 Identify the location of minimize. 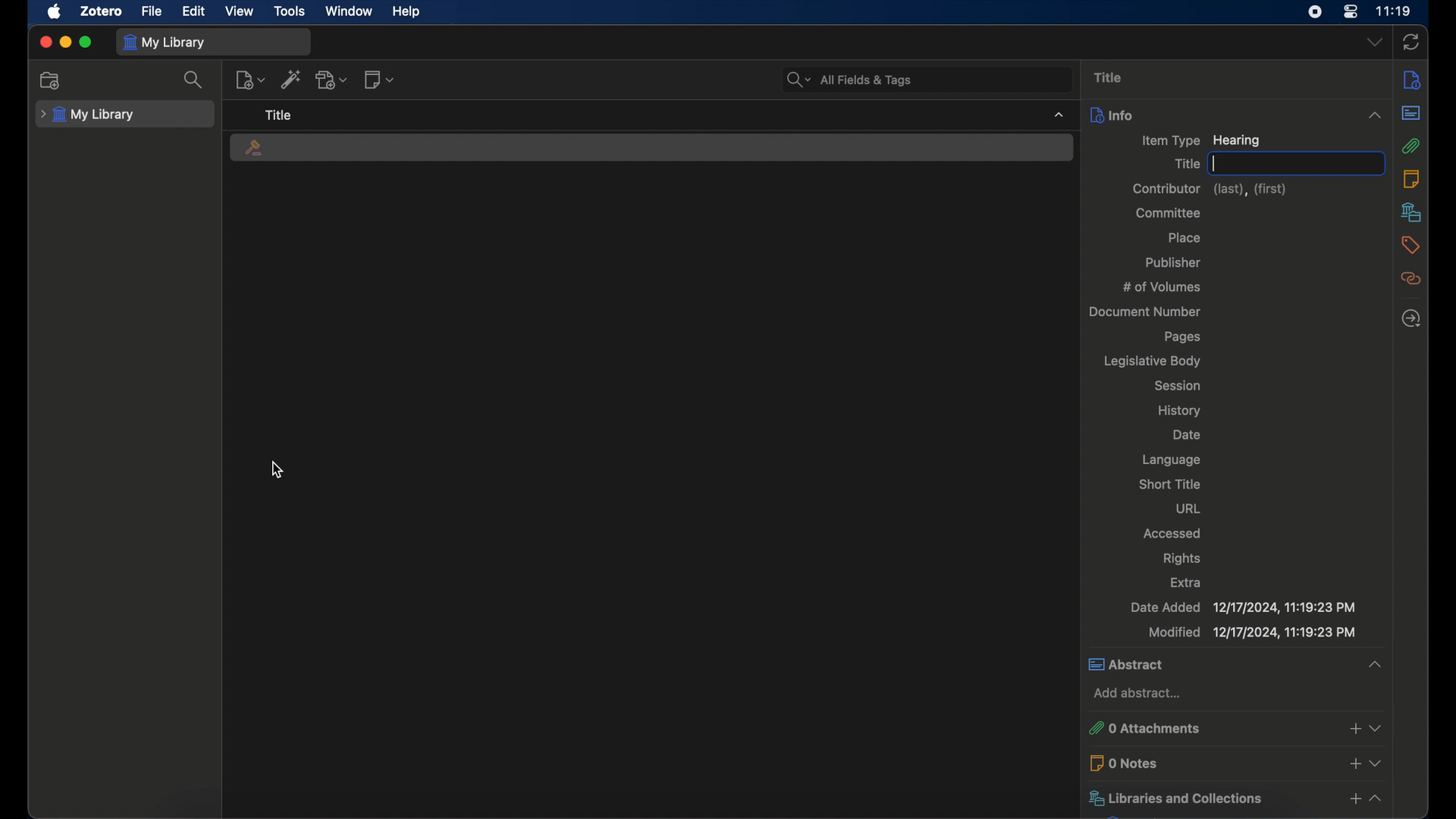
(65, 42).